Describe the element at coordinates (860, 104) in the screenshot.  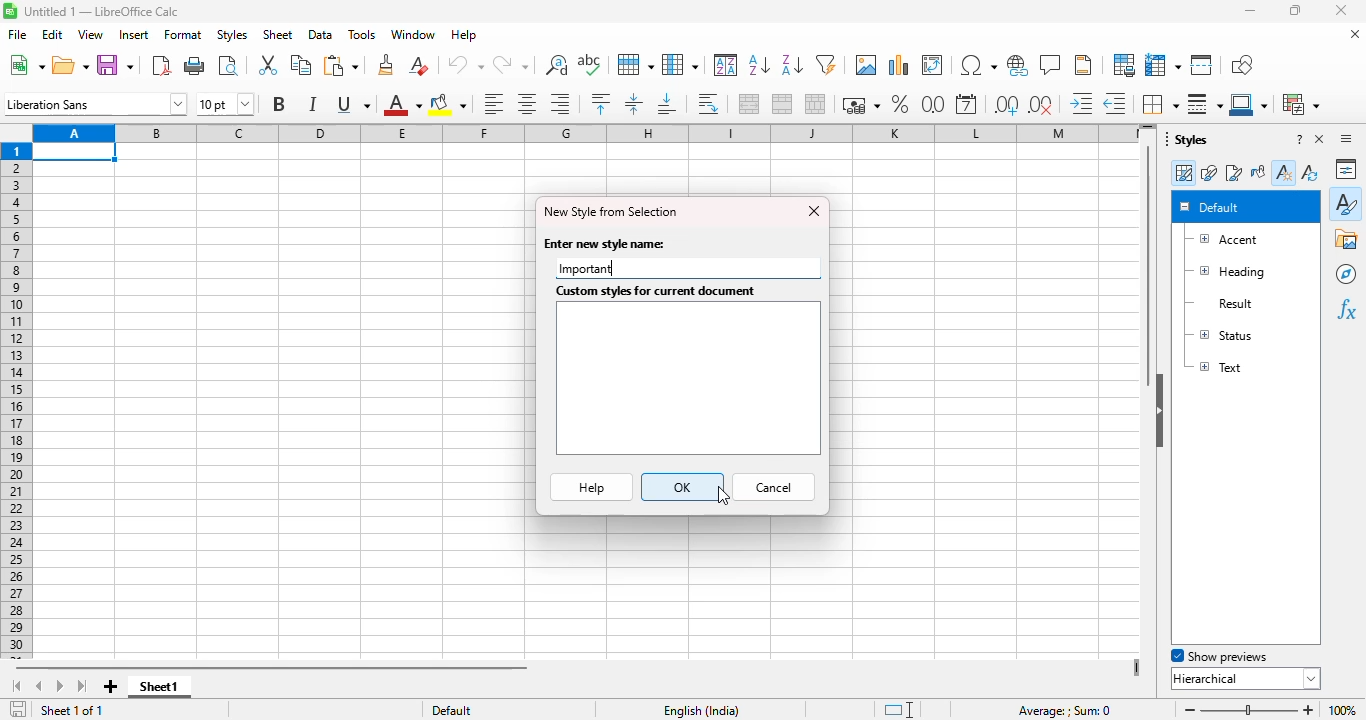
I see `format as currency` at that location.